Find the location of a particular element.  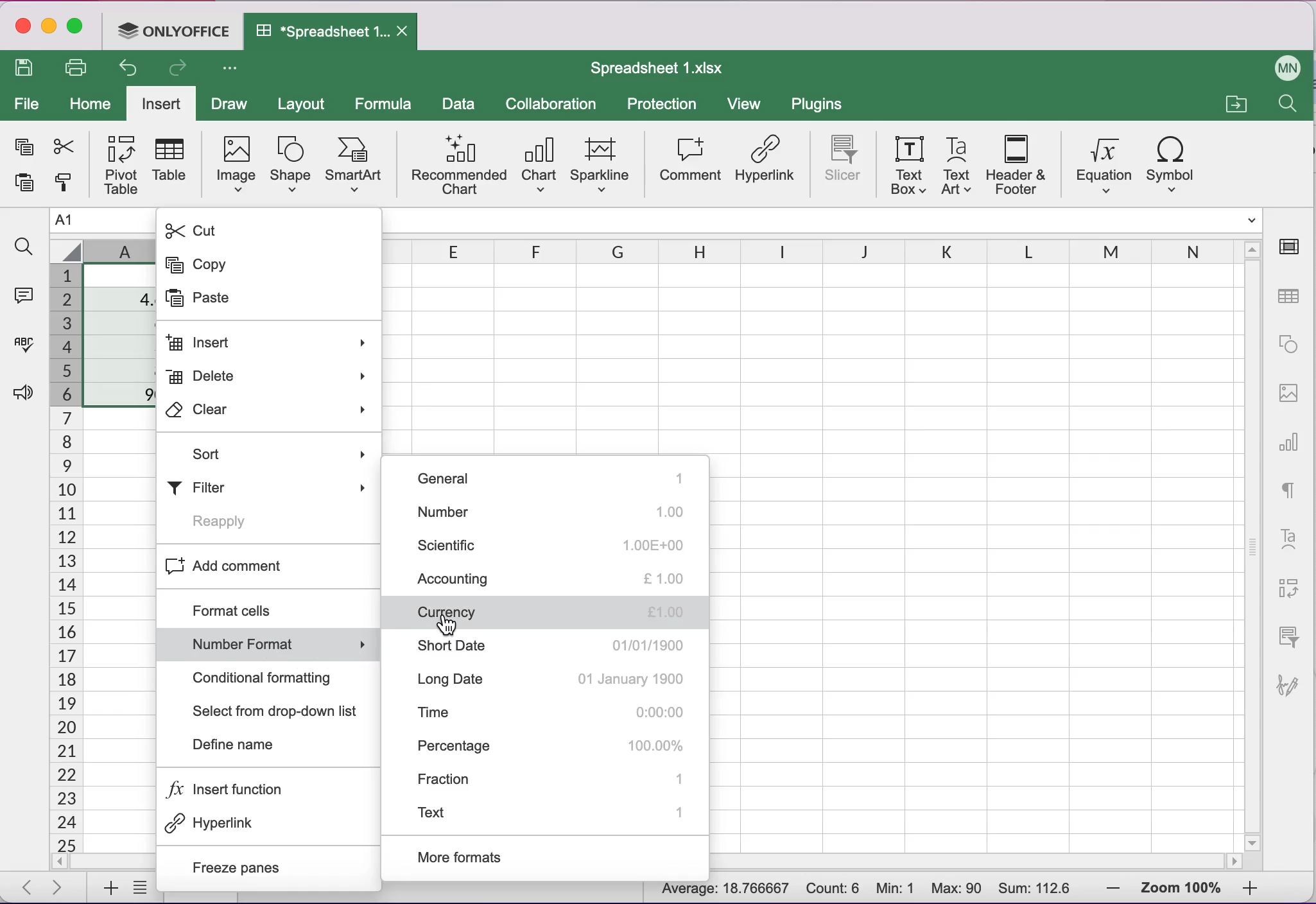

save is located at coordinates (23, 69).